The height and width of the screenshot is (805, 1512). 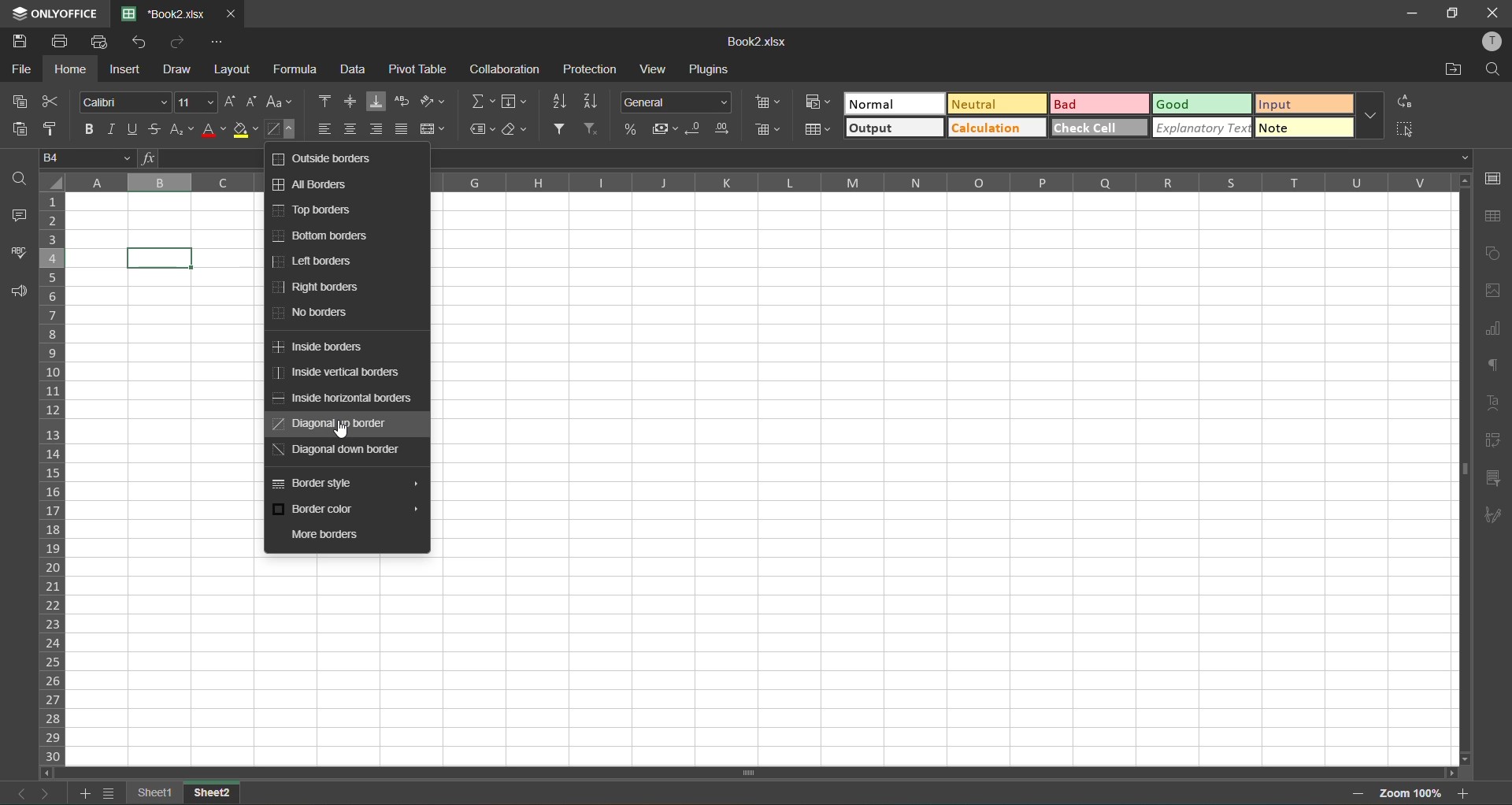 I want to click on undo, so click(x=143, y=43).